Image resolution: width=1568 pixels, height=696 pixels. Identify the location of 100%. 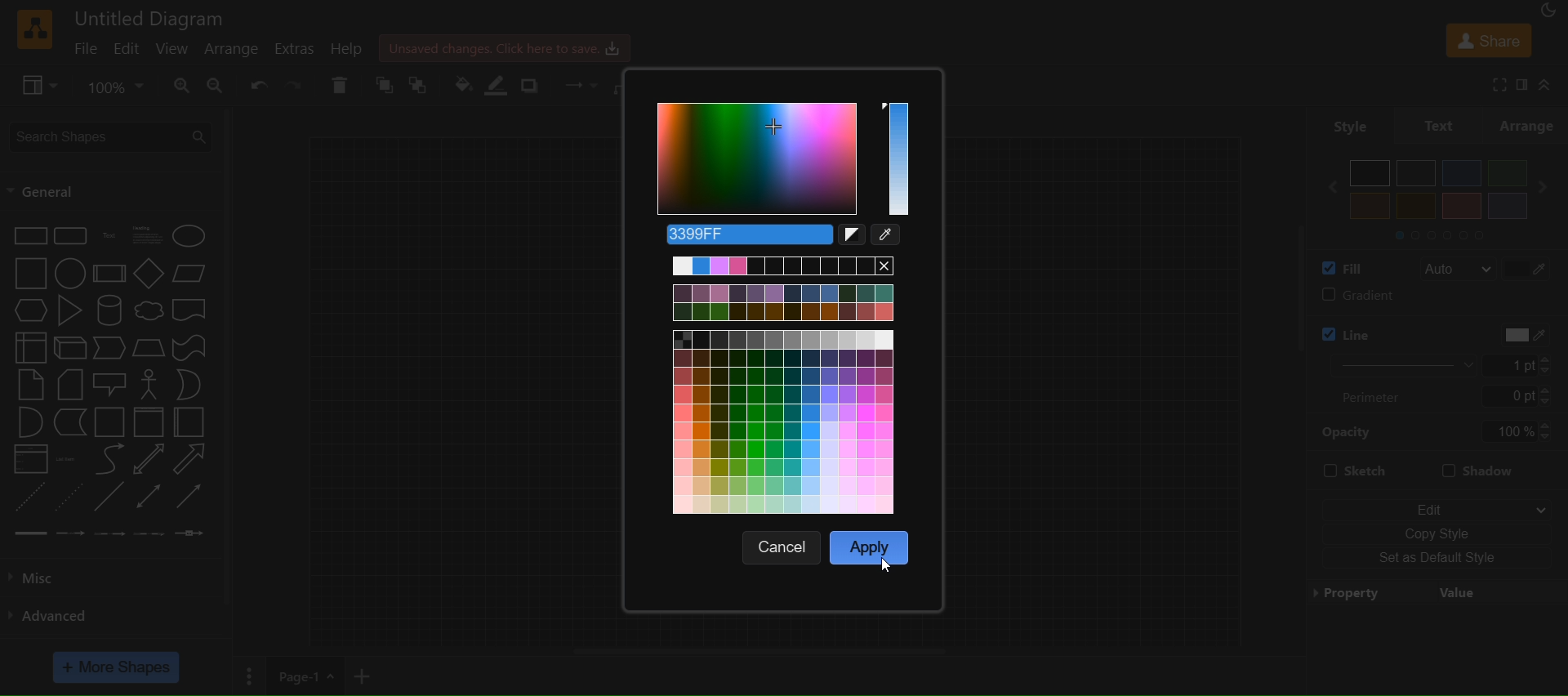
(1517, 431).